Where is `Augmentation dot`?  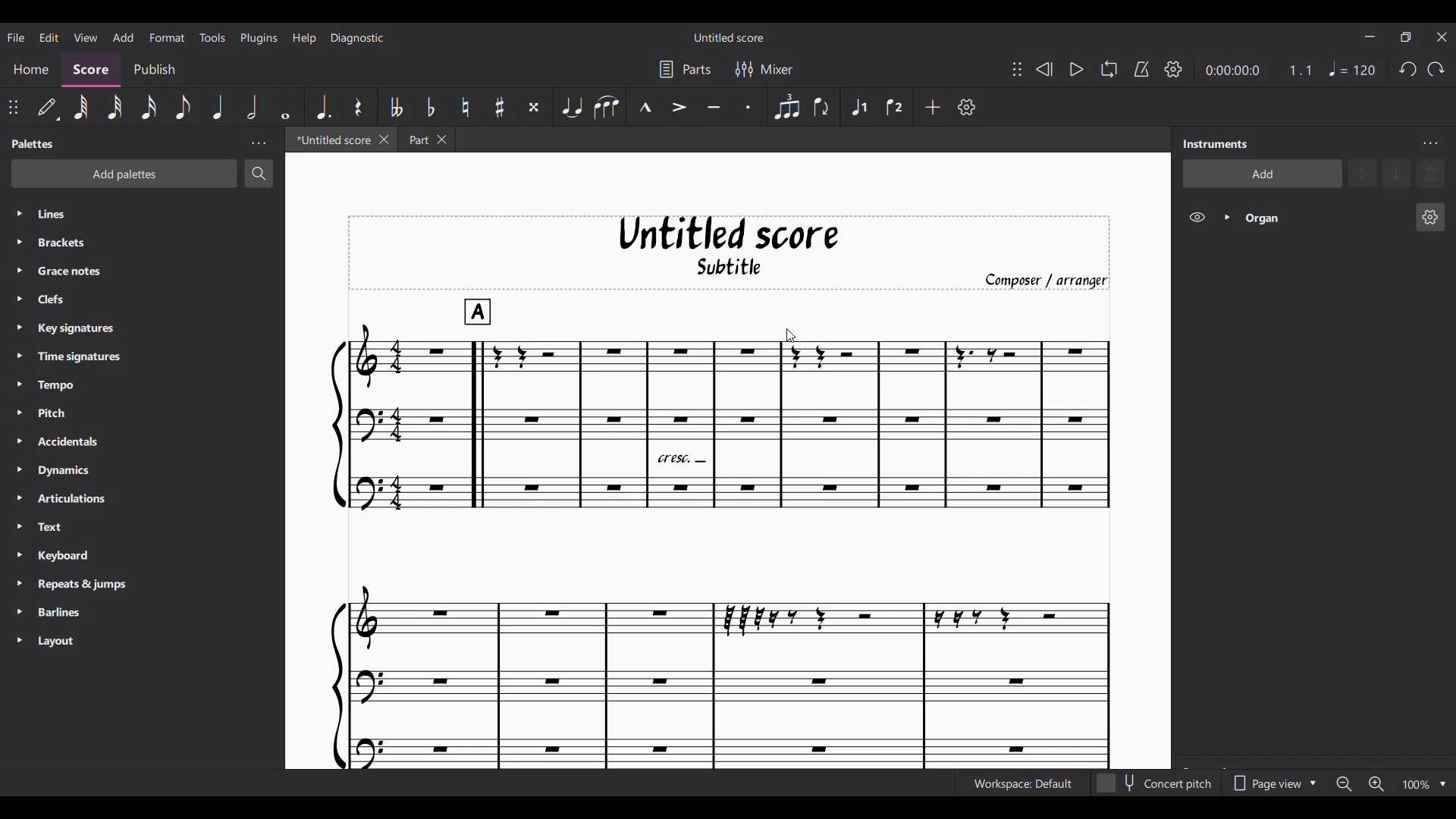 Augmentation dot is located at coordinates (323, 106).